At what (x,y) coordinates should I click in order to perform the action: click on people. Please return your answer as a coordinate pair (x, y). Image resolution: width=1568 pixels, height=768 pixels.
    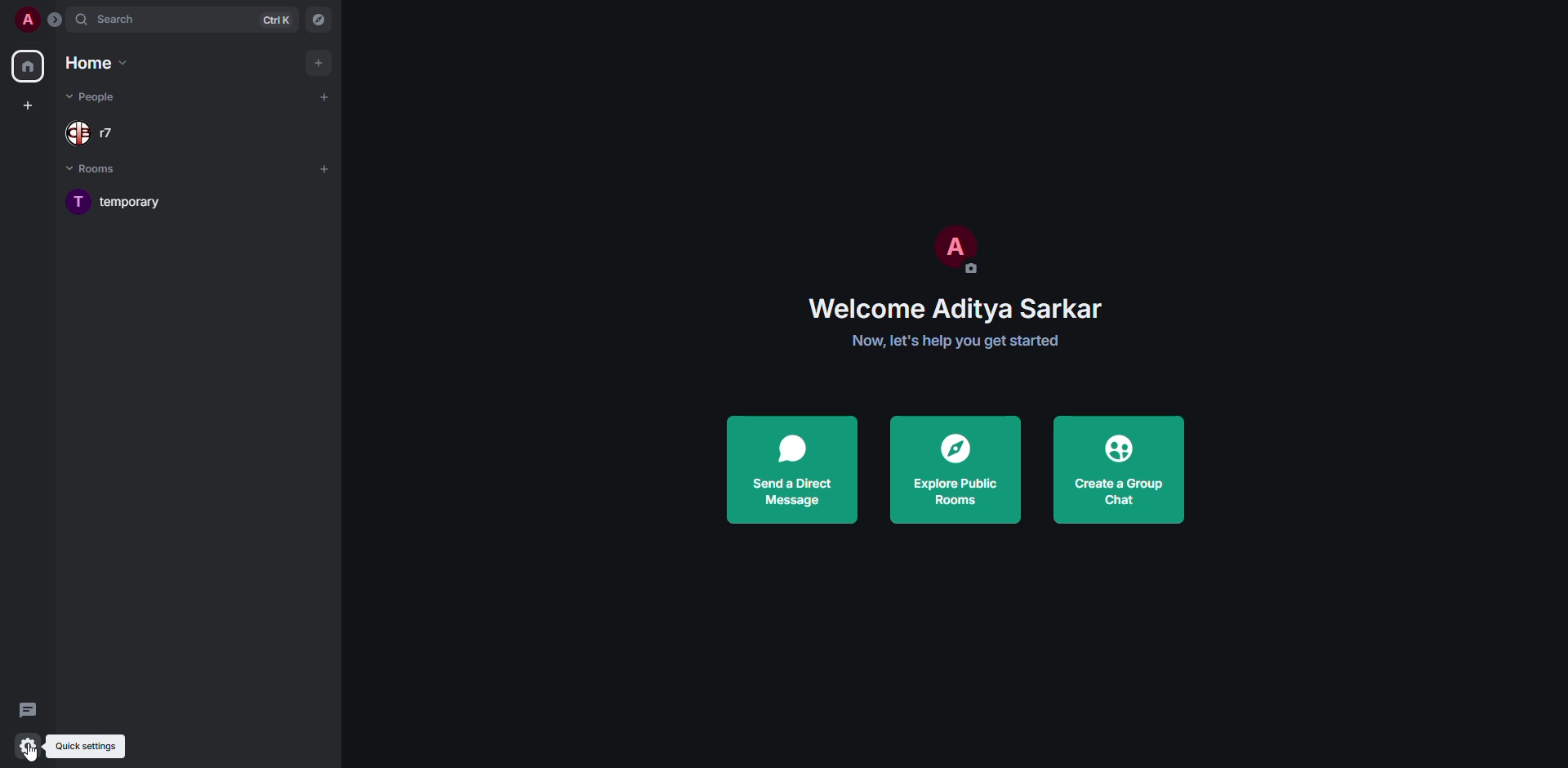
    Looking at the image, I should click on (94, 96).